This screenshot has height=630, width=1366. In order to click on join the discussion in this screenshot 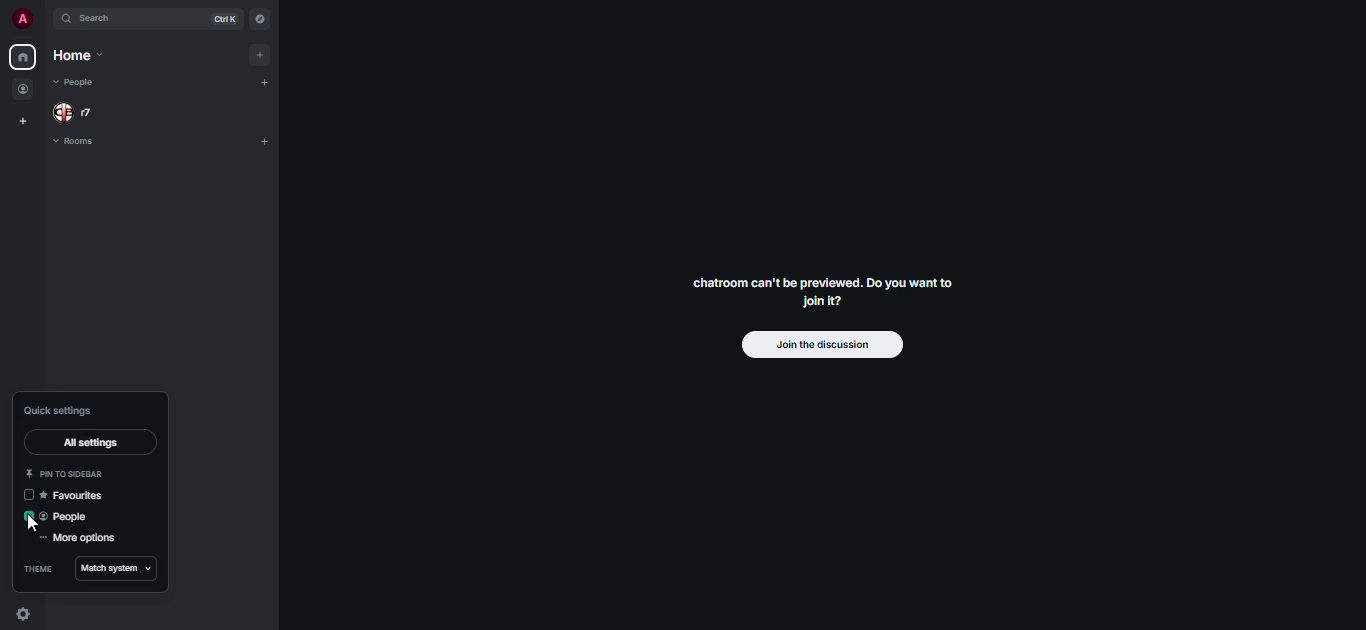, I will do `click(822, 345)`.